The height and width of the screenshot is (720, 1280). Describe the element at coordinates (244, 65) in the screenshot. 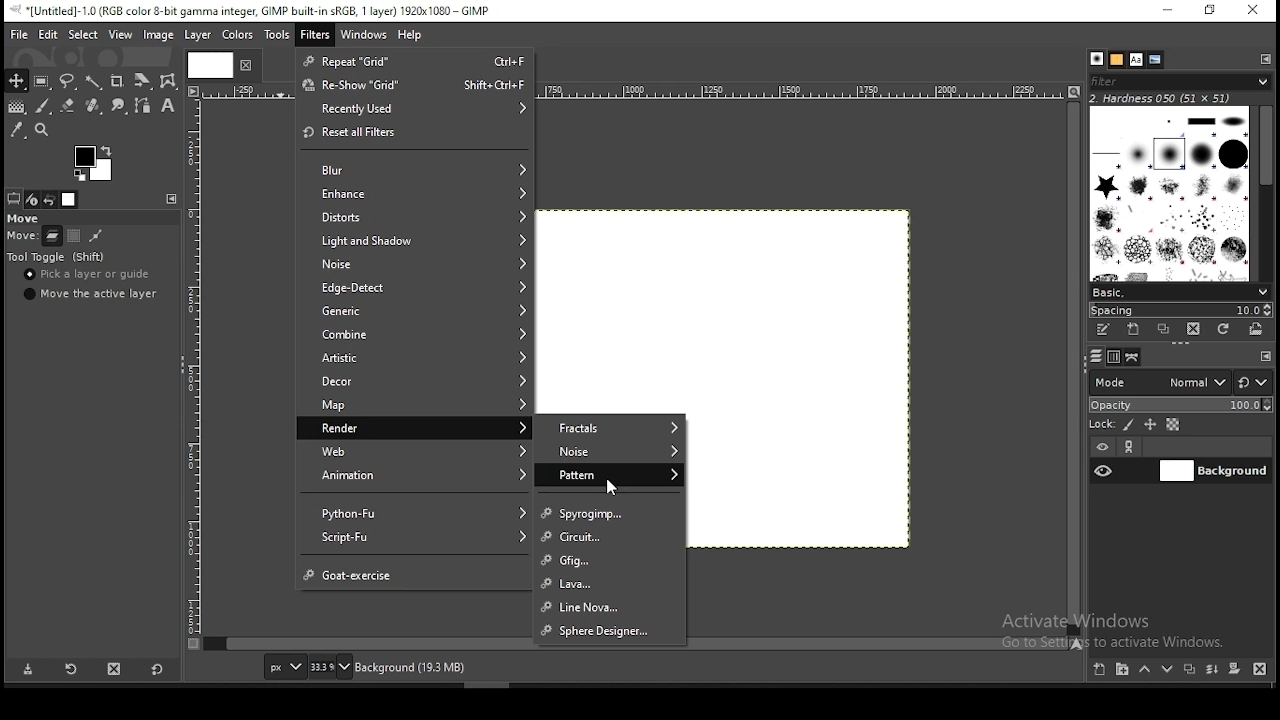

I see `close` at that location.